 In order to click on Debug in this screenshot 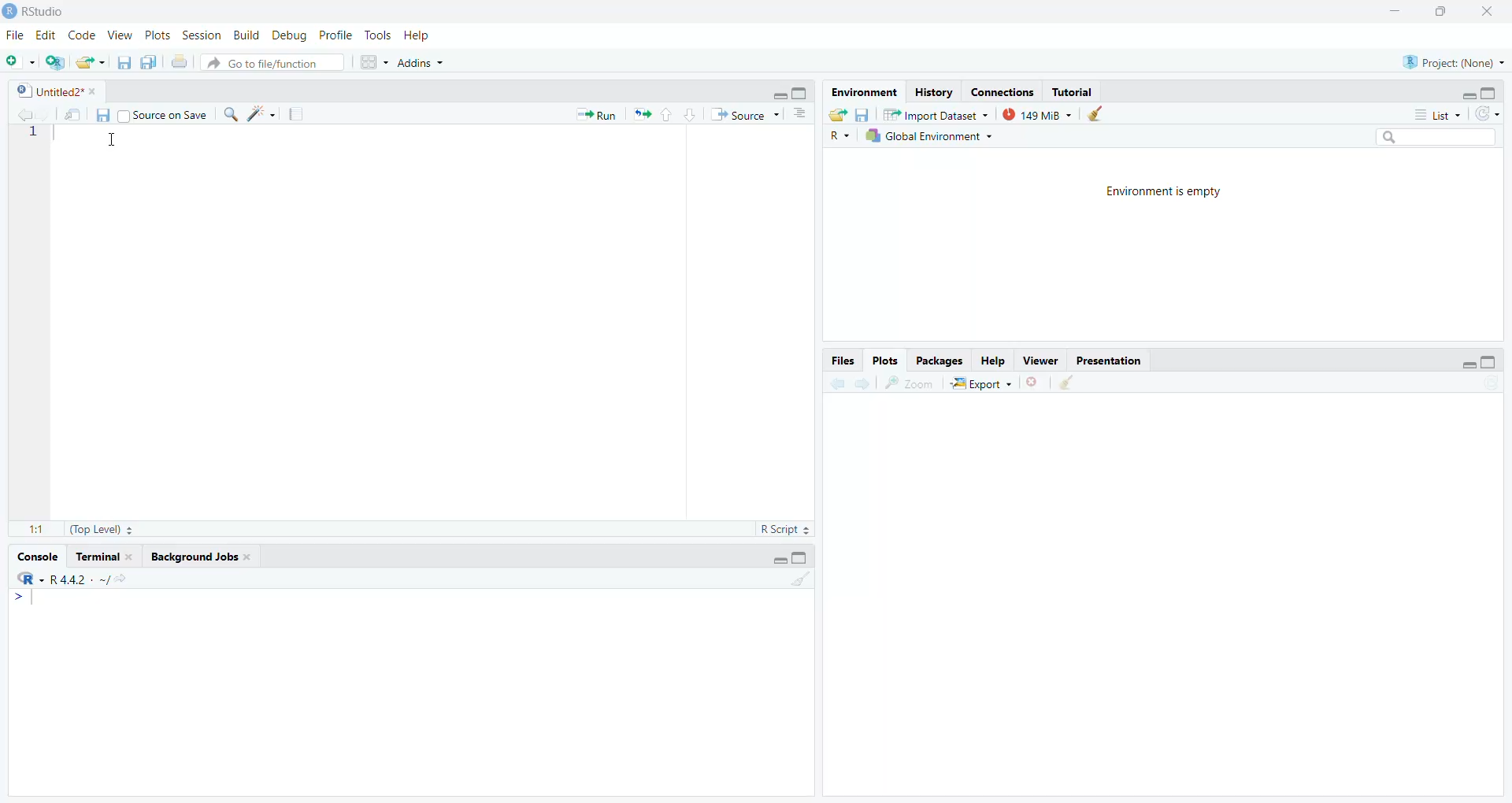, I will do `click(287, 37)`.